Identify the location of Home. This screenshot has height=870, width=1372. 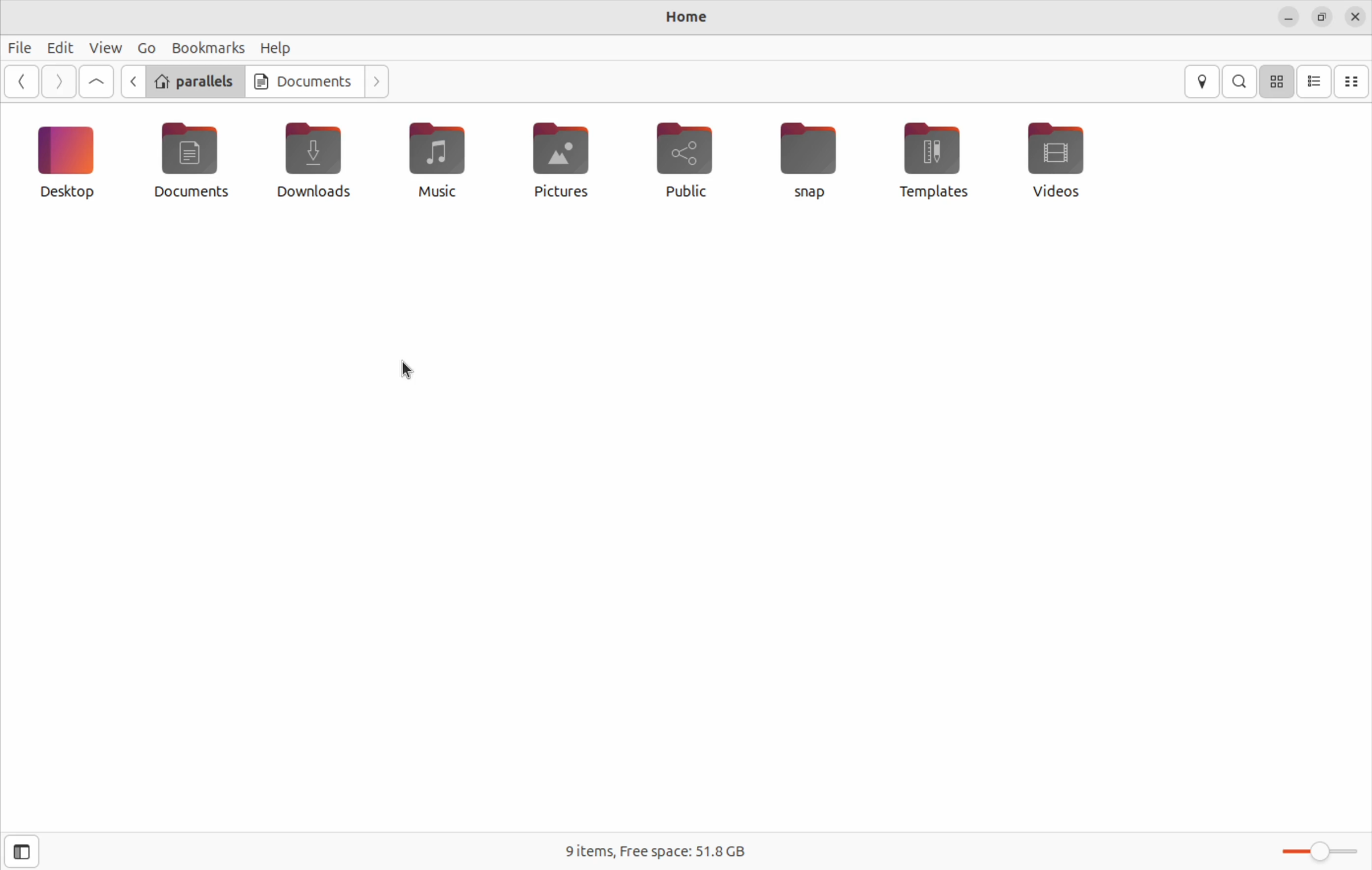
(687, 15).